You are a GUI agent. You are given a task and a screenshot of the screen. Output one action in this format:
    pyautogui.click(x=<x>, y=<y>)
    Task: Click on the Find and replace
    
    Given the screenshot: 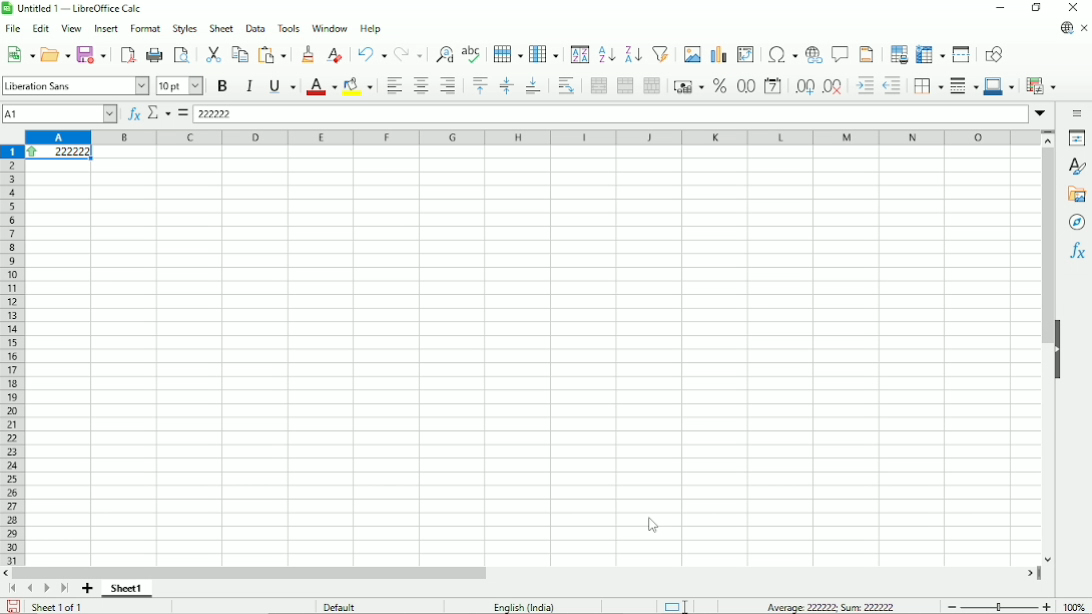 What is the action you would take?
    pyautogui.click(x=444, y=53)
    